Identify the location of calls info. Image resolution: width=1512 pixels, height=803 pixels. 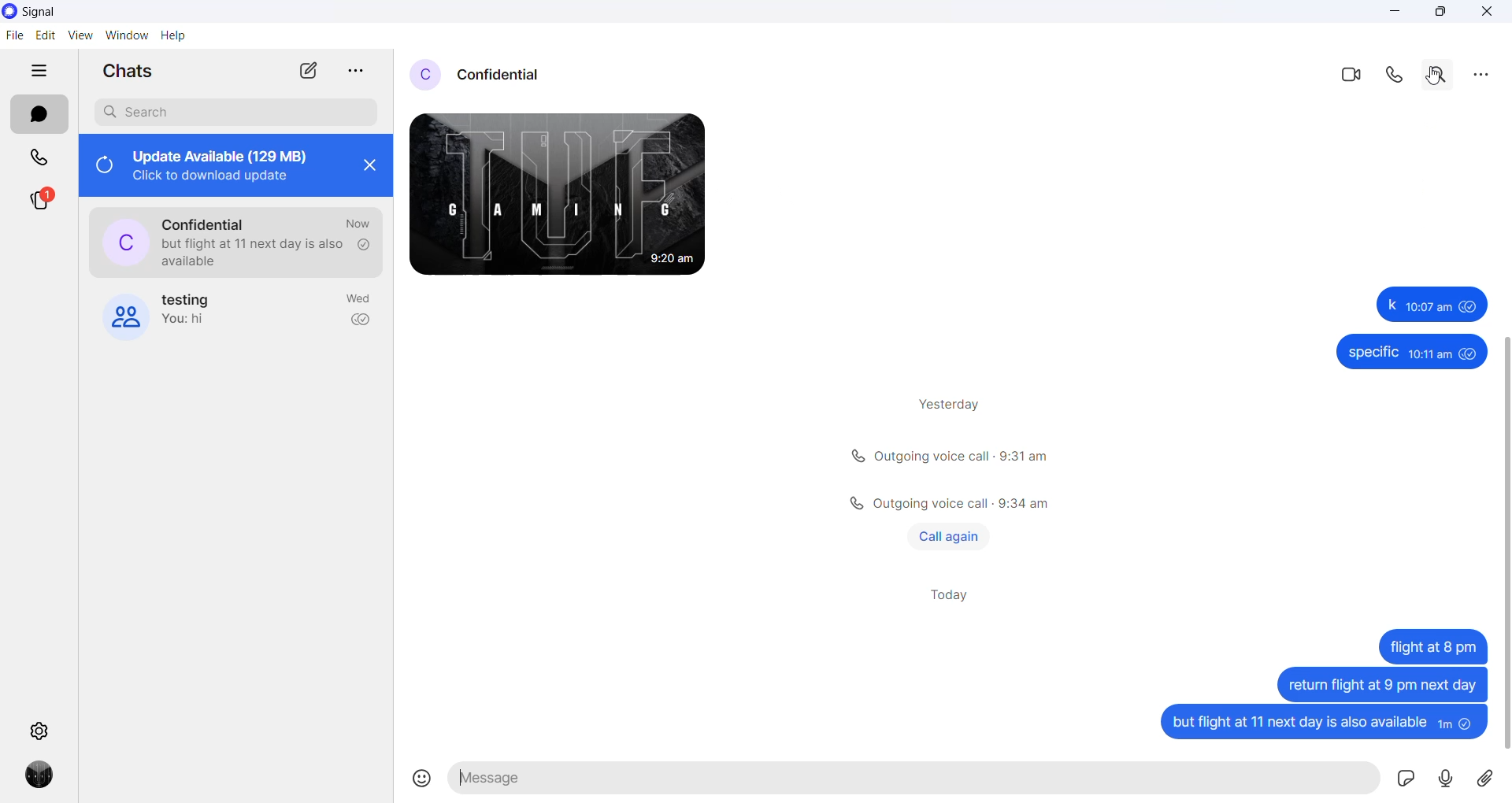
(951, 457).